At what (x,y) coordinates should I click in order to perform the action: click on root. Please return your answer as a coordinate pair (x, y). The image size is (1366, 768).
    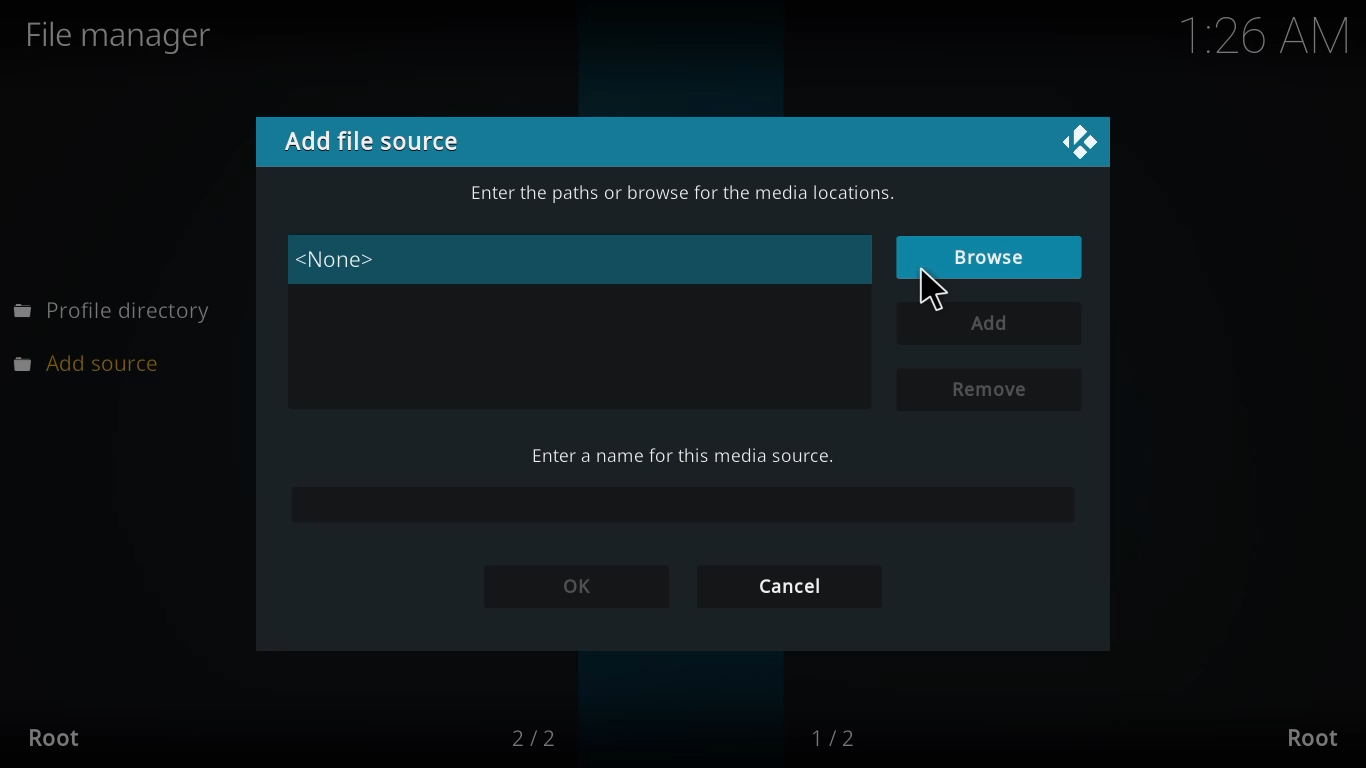
    Looking at the image, I should click on (55, 738).